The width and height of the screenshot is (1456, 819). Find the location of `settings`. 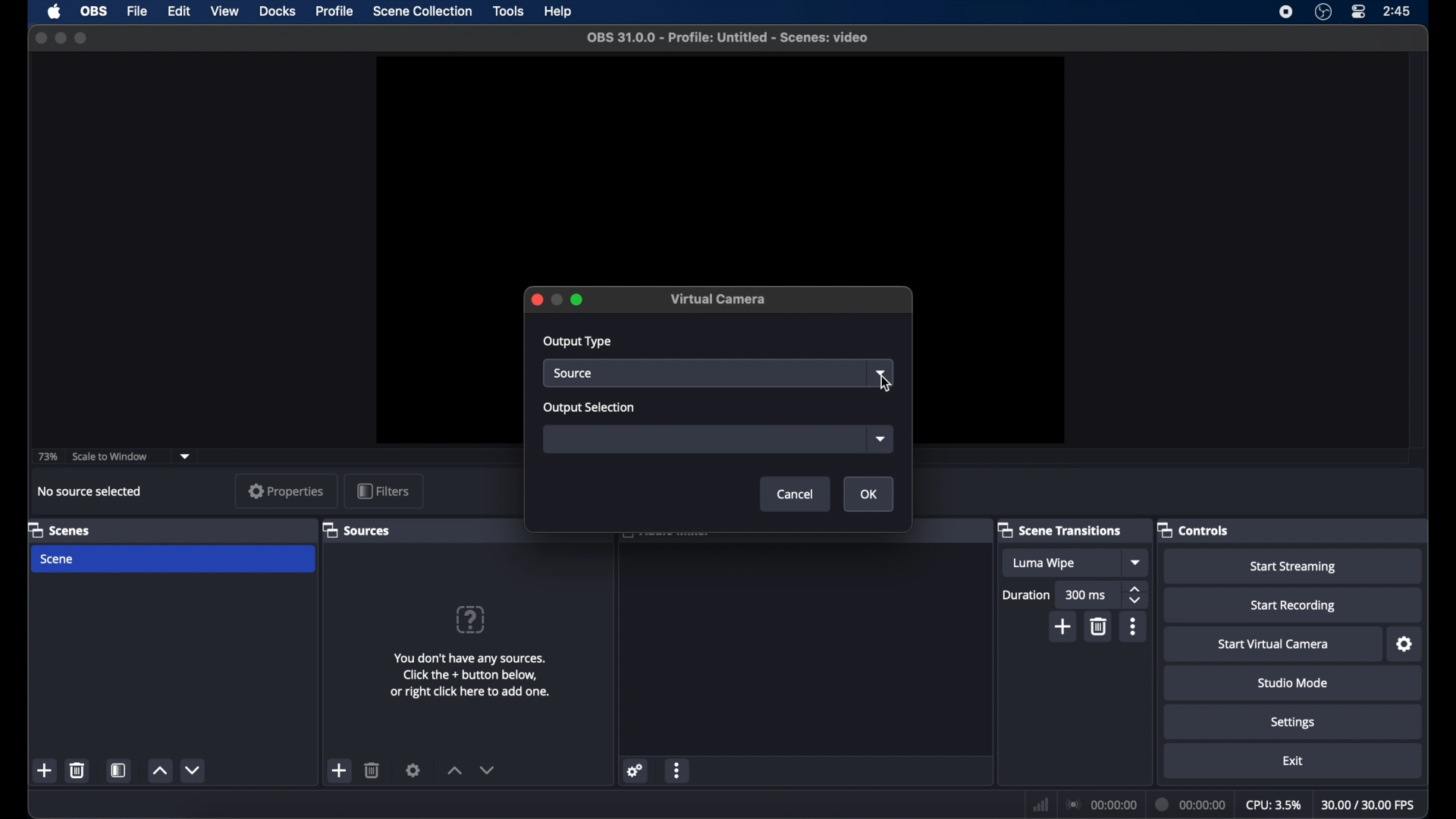

settings is located at coordinates (1293, 723).